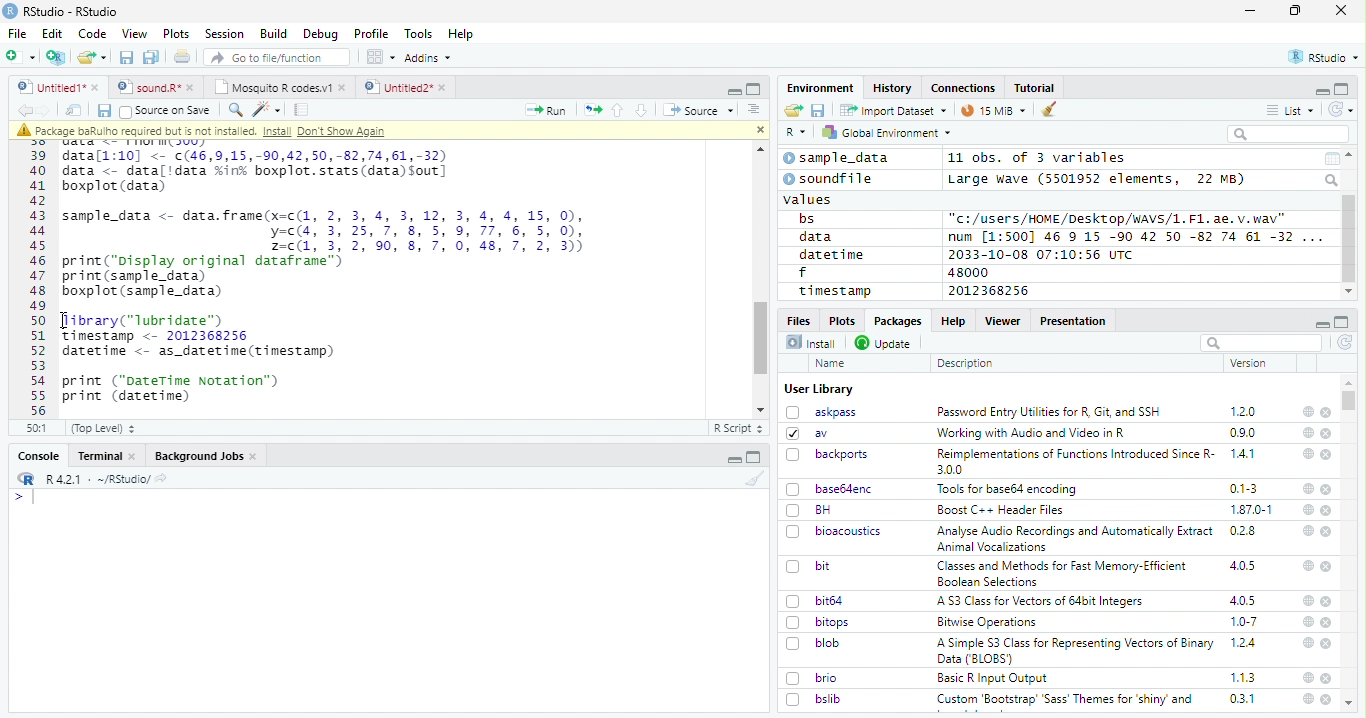  I want to click on A S3 Class for Vectors of 64bit Integers, so click(1042, 602).